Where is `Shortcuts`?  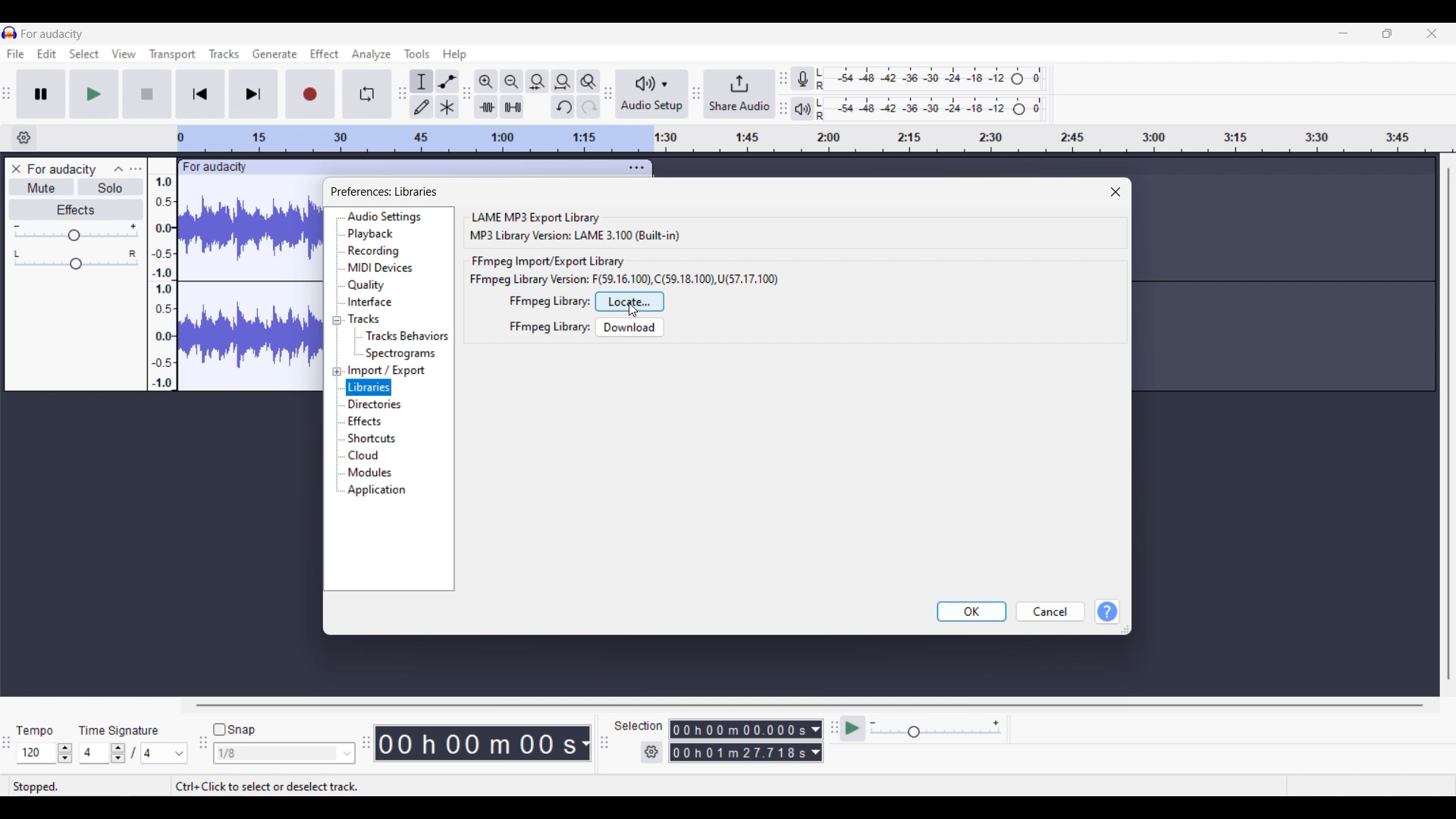 Shortcuts is located at coordinates (373, 438).